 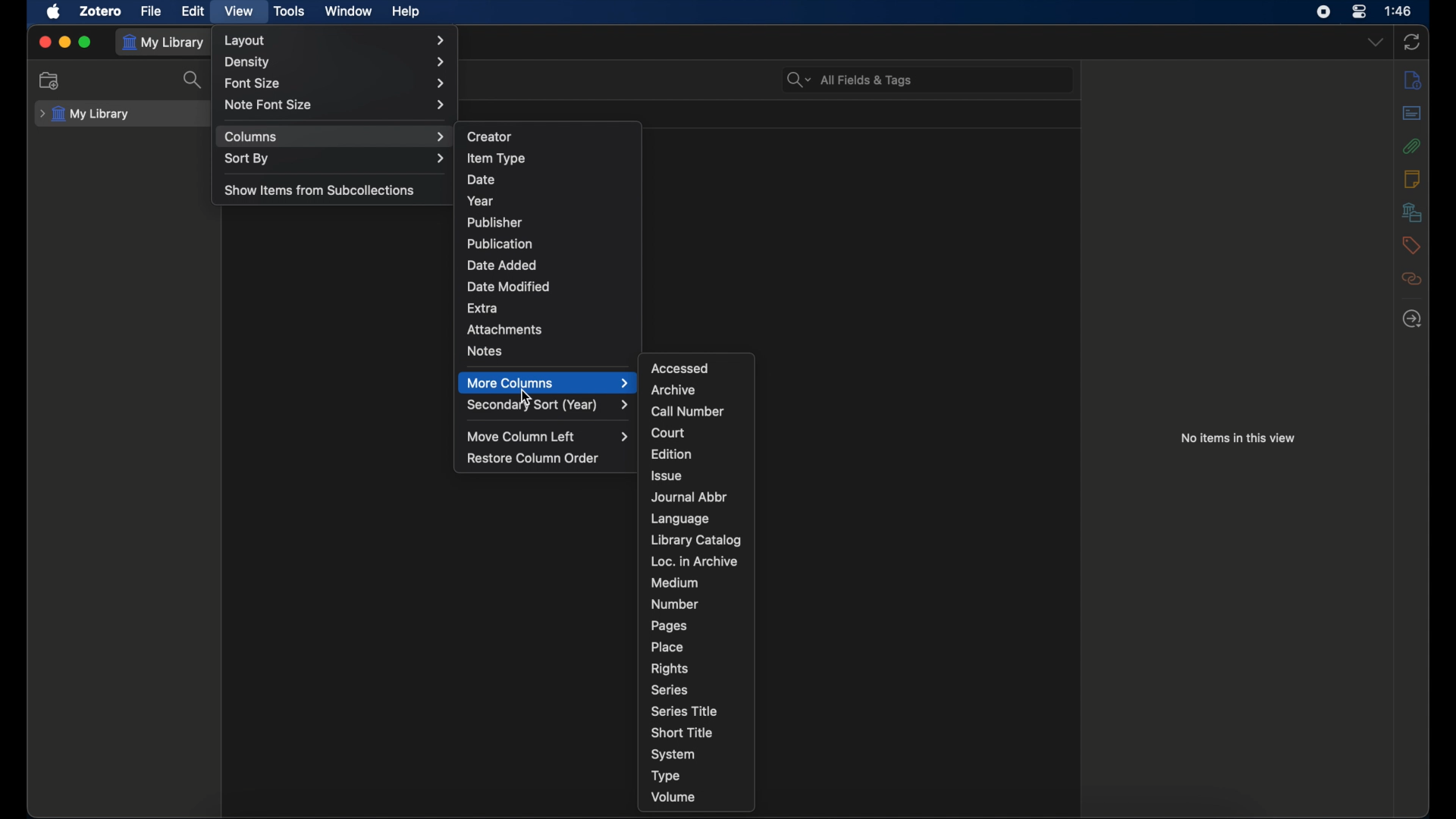 What do you see at coordinates (1398, 10) in the screenshot?
I see `time (1:48)` at bounding box center [1398, 10].